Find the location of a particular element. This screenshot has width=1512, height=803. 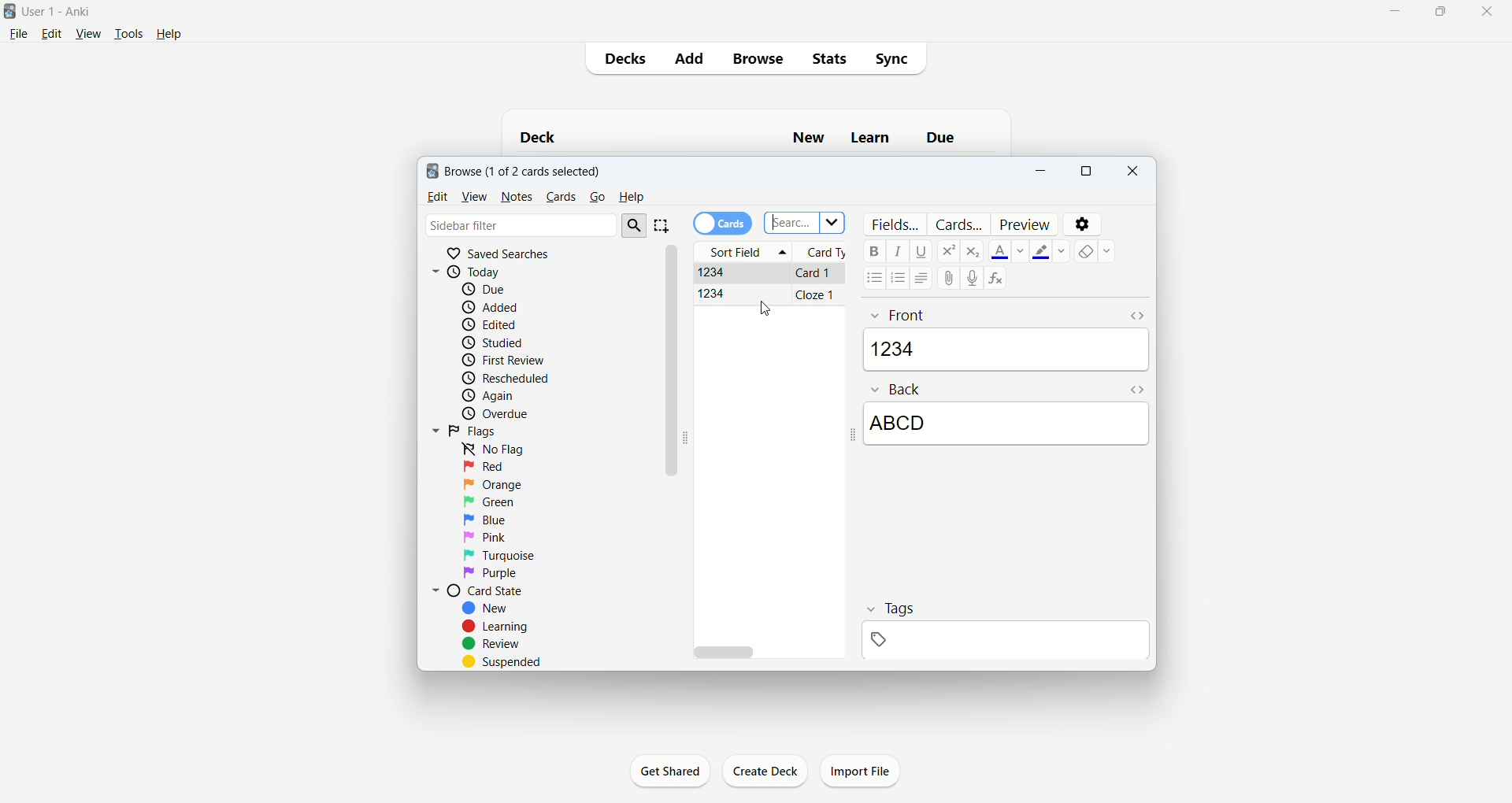

minimize is located at coordinates (1396, 10).